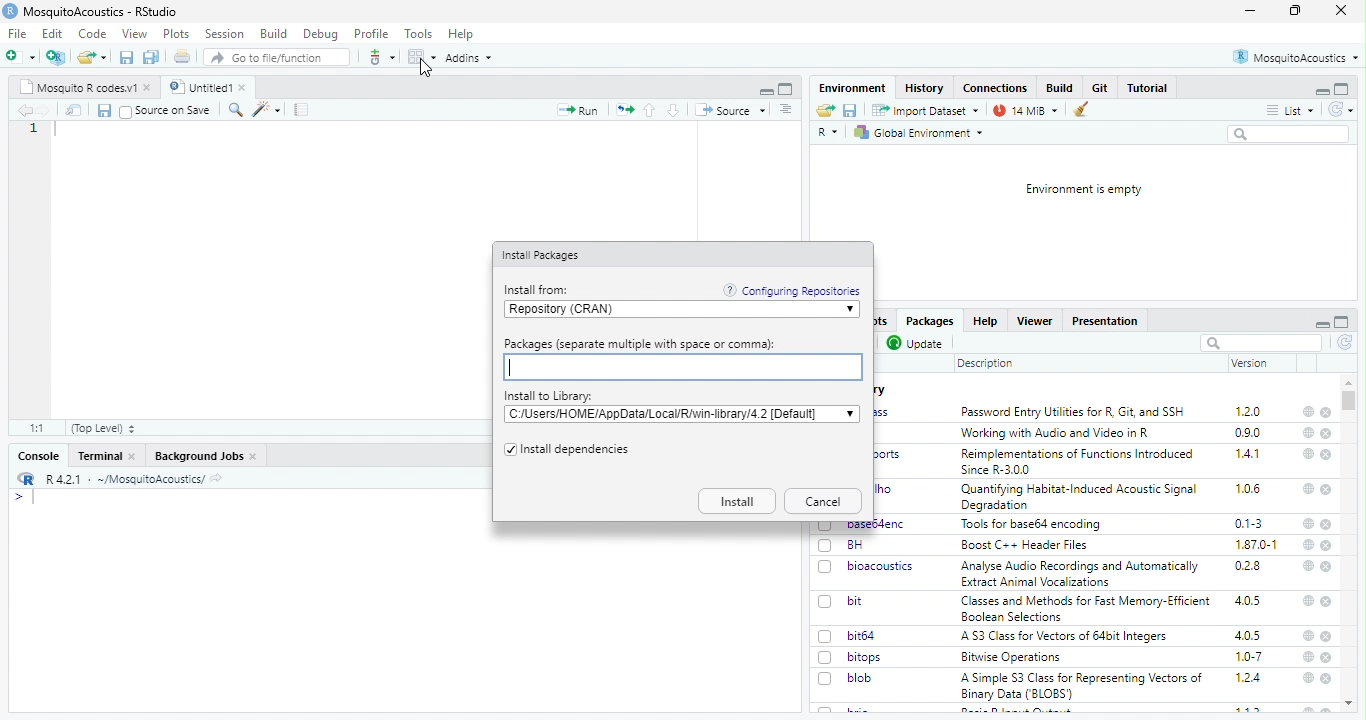 This screenshot has width=1366, height=720. Describe the element at coordinates (127, 58) in the screenshot. I see `save` at that location.